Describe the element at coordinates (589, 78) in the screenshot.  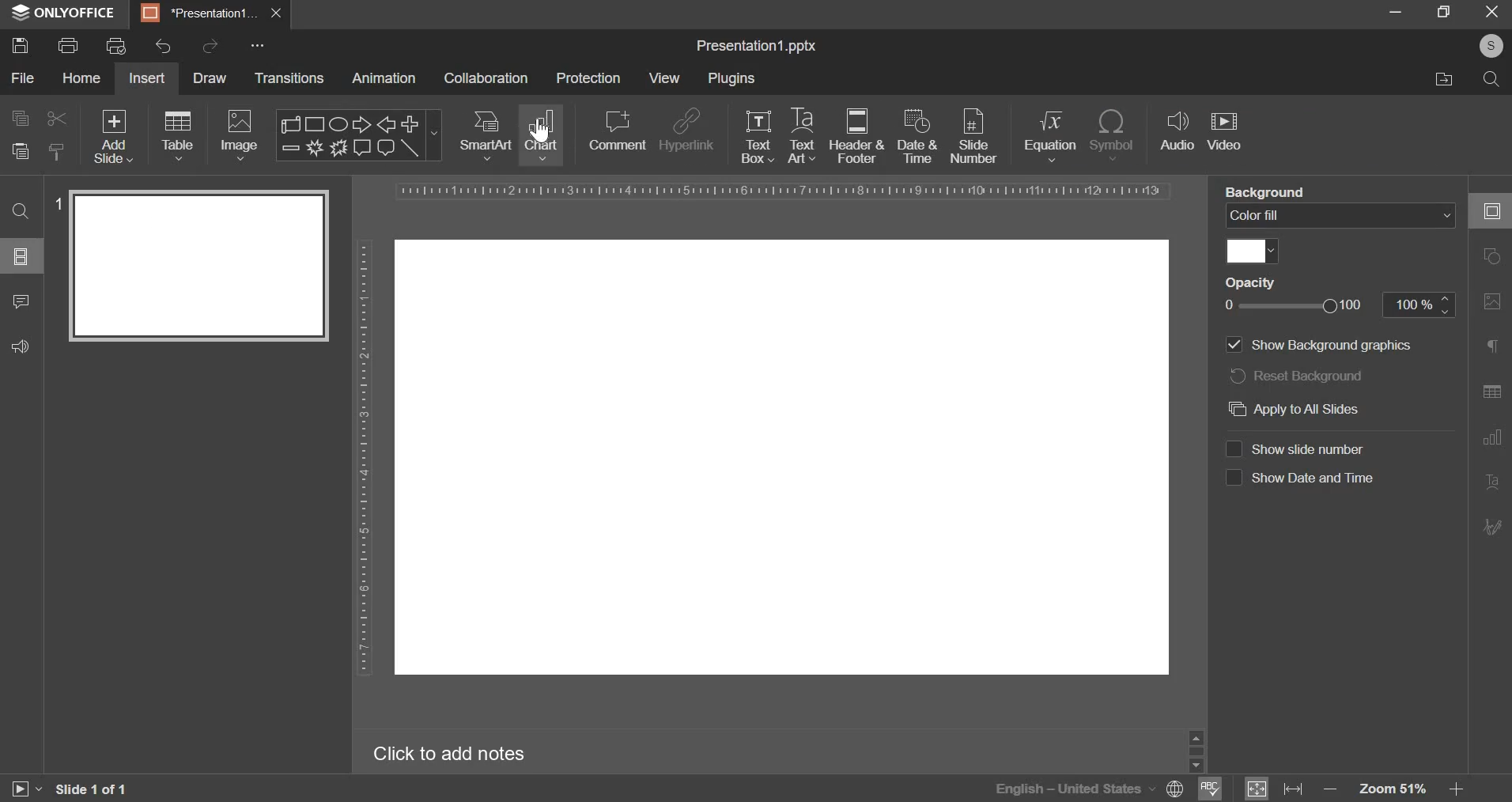
I see `protection` at that location.